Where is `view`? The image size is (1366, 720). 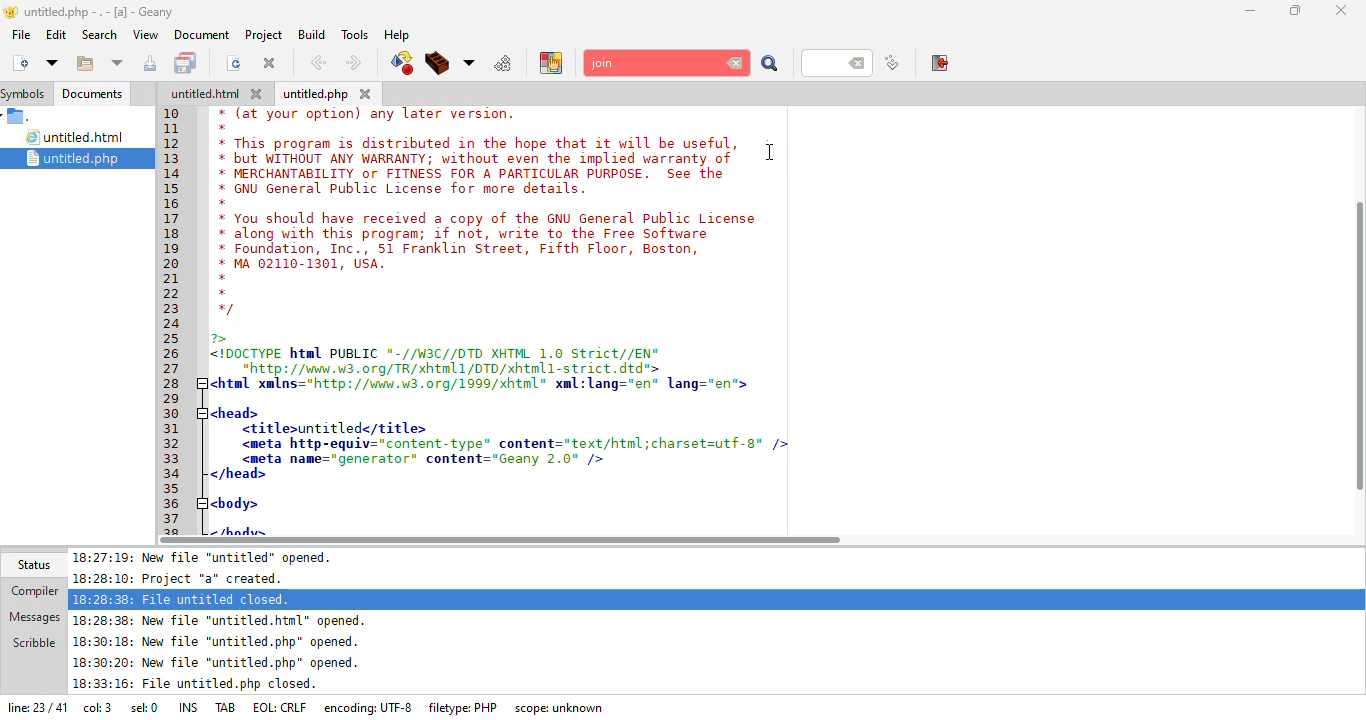
view is located at coordinates (144, 34).